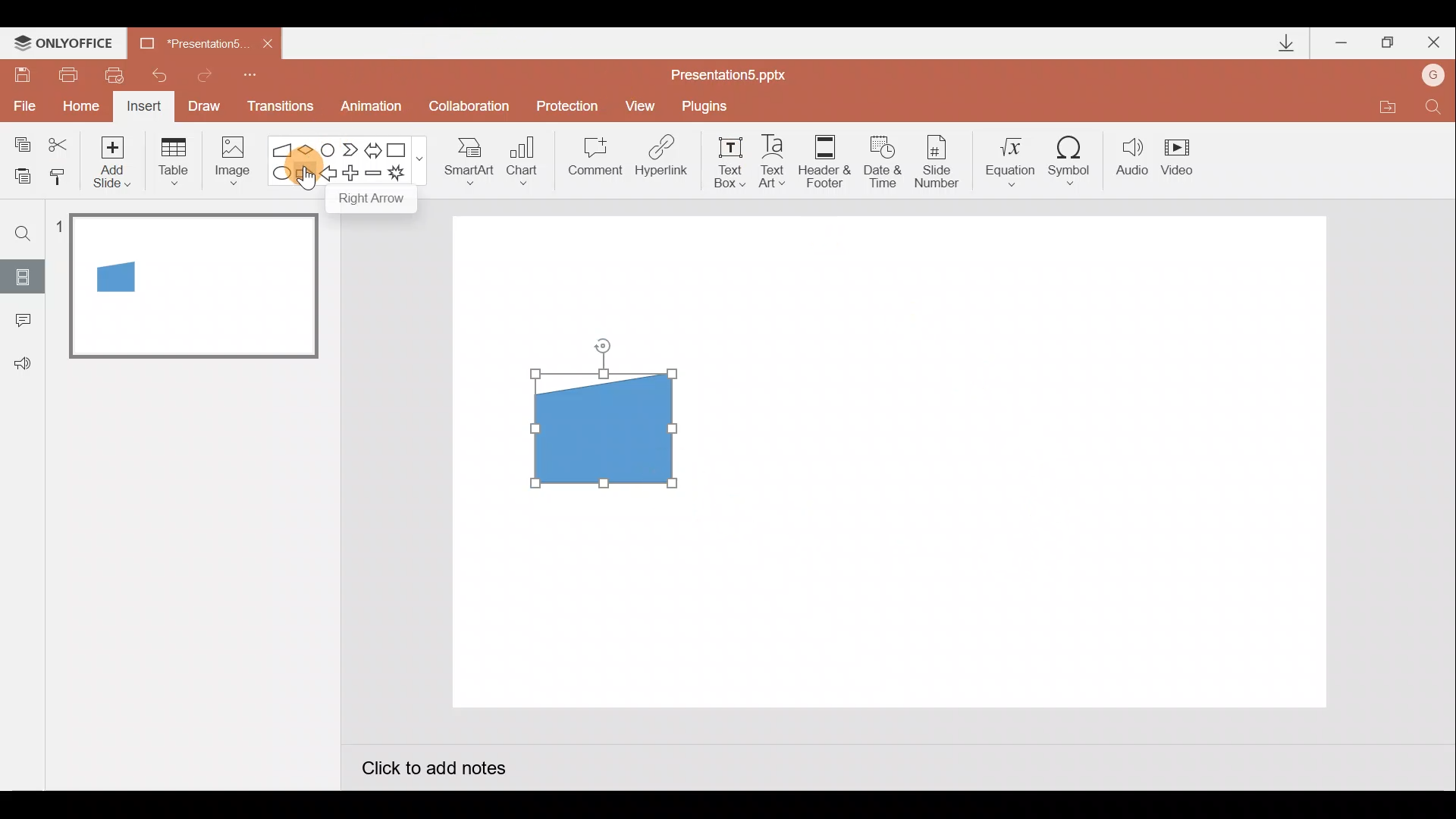 The image size is (1456, 819). What do you see at coordinates (24, 362) in the screenshot?
I see `Feedback & support` at bounding box center [24, 362].